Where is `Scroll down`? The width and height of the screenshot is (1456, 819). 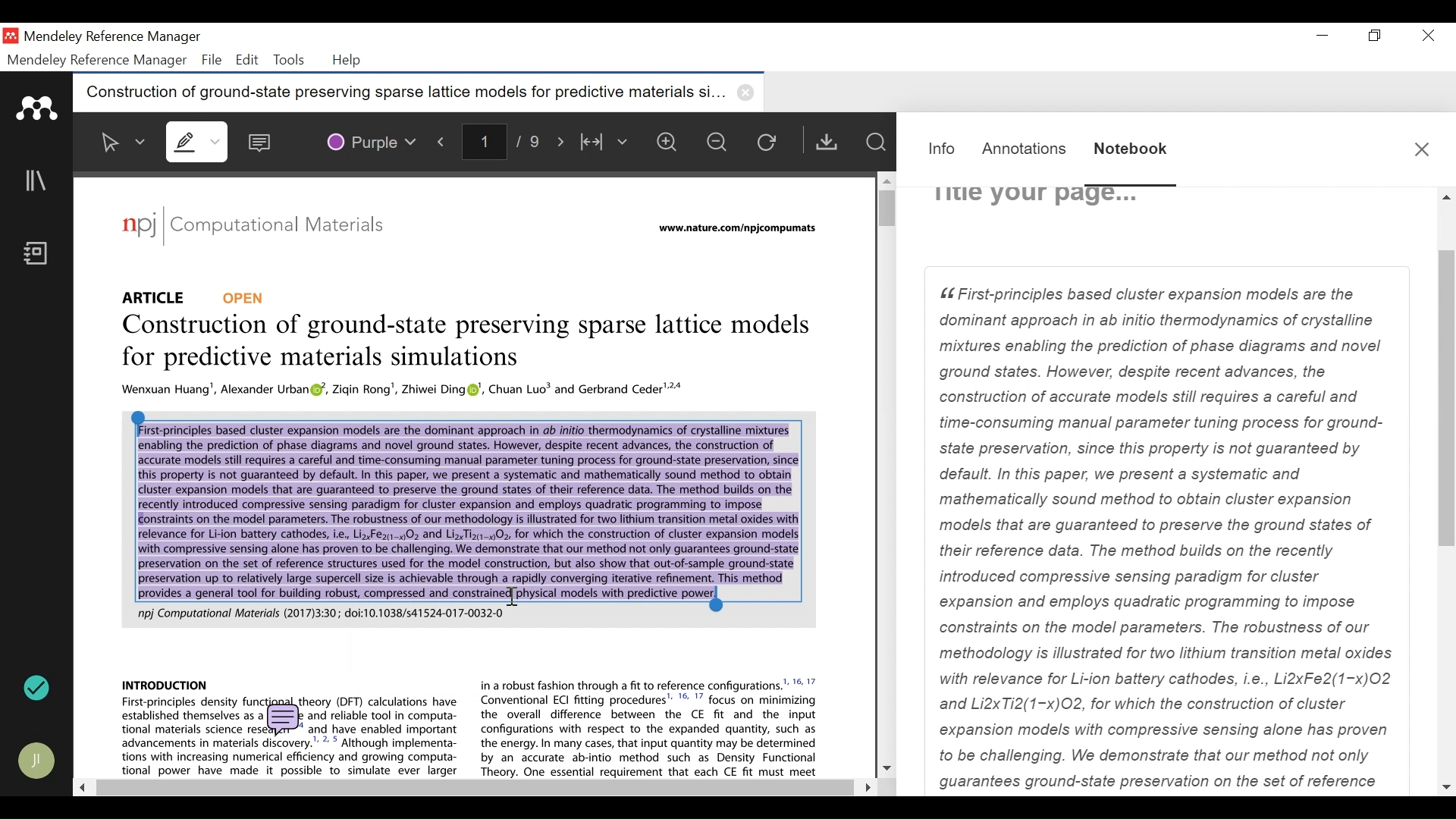
Scroll down is located at coordinates (1447, 787).